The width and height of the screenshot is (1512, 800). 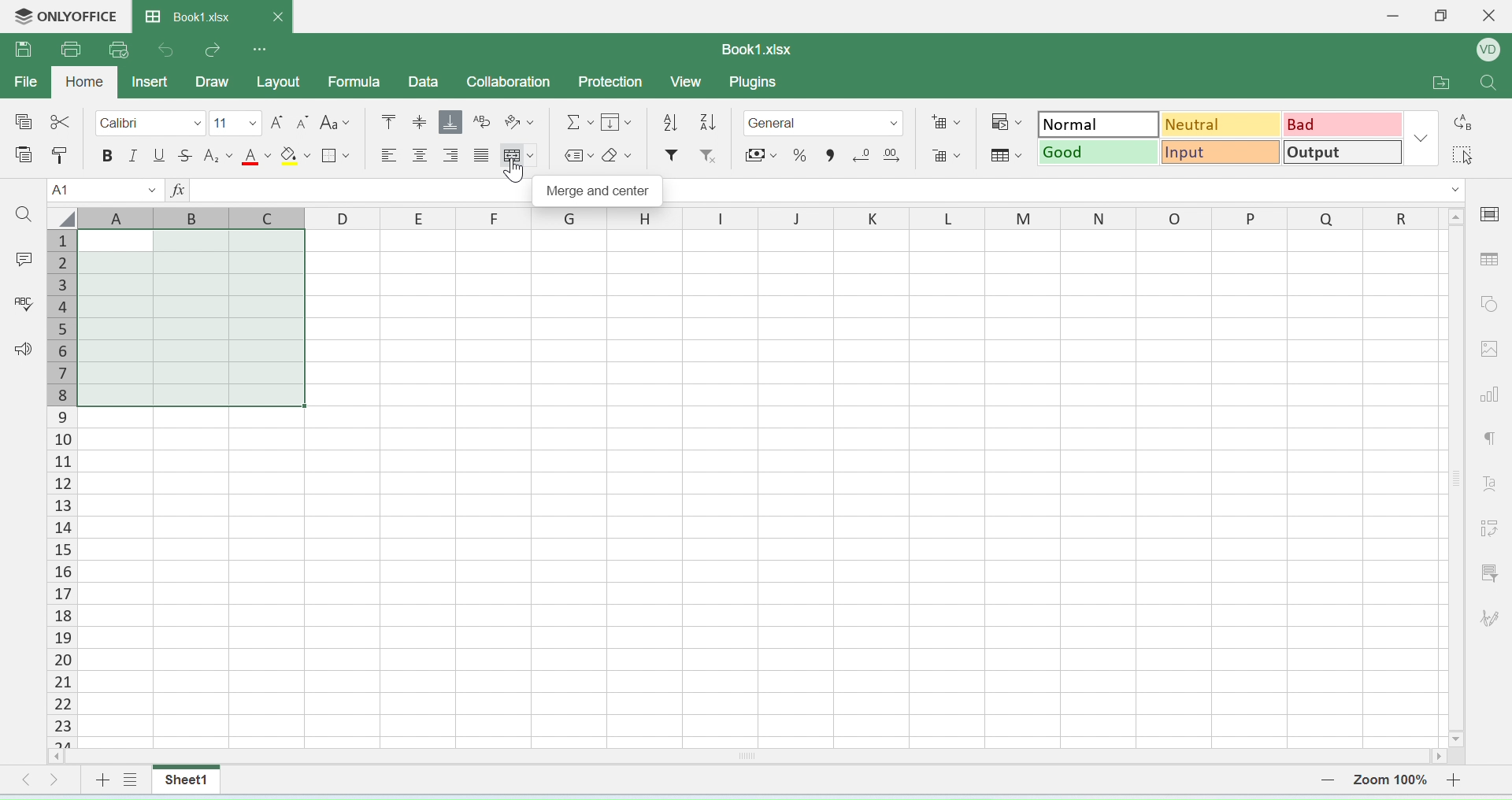 I want to click on align center, so click(x=421, y=123).